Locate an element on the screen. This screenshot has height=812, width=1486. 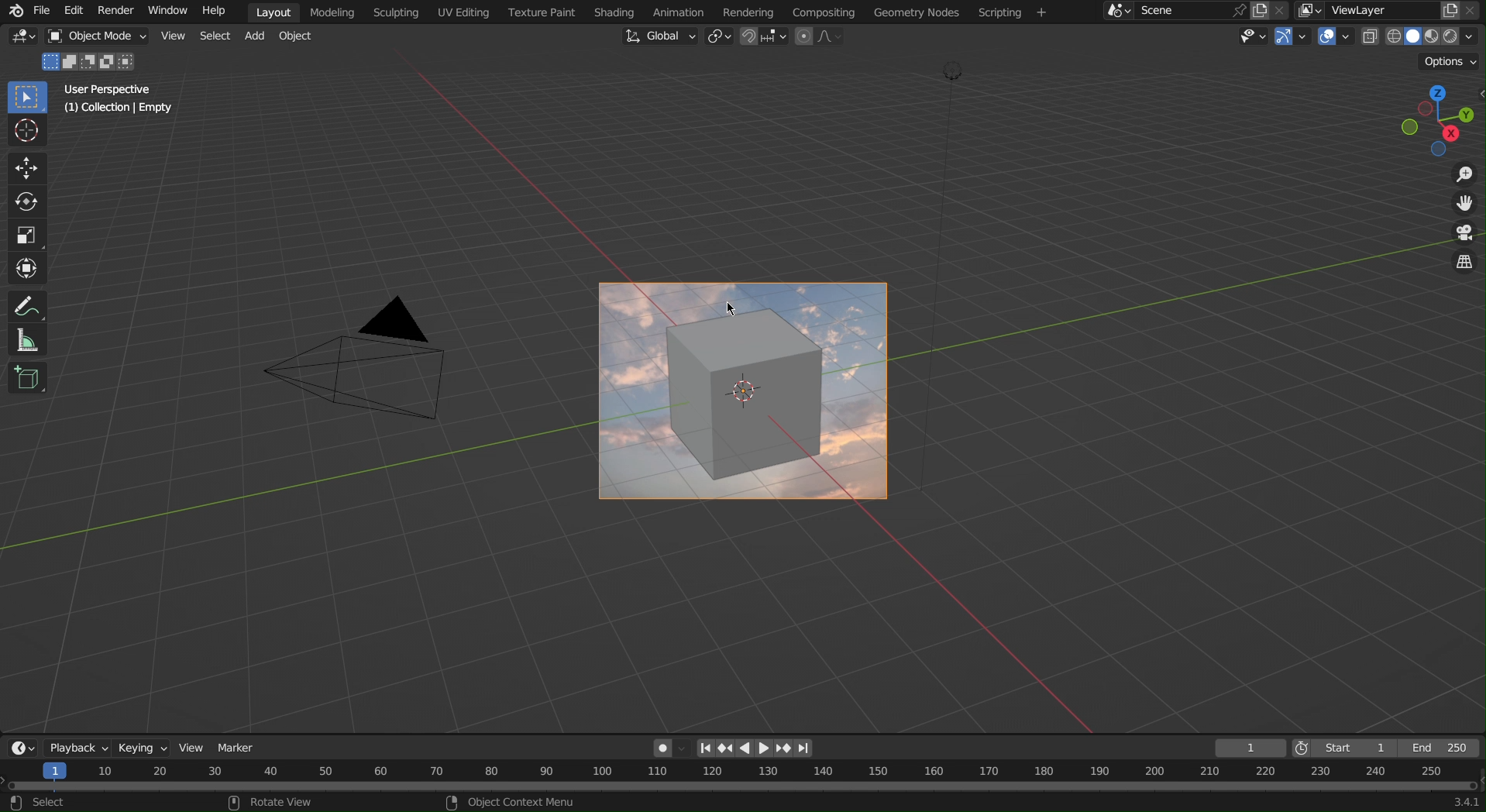
Scripting is located at coordinates (1011, 14).